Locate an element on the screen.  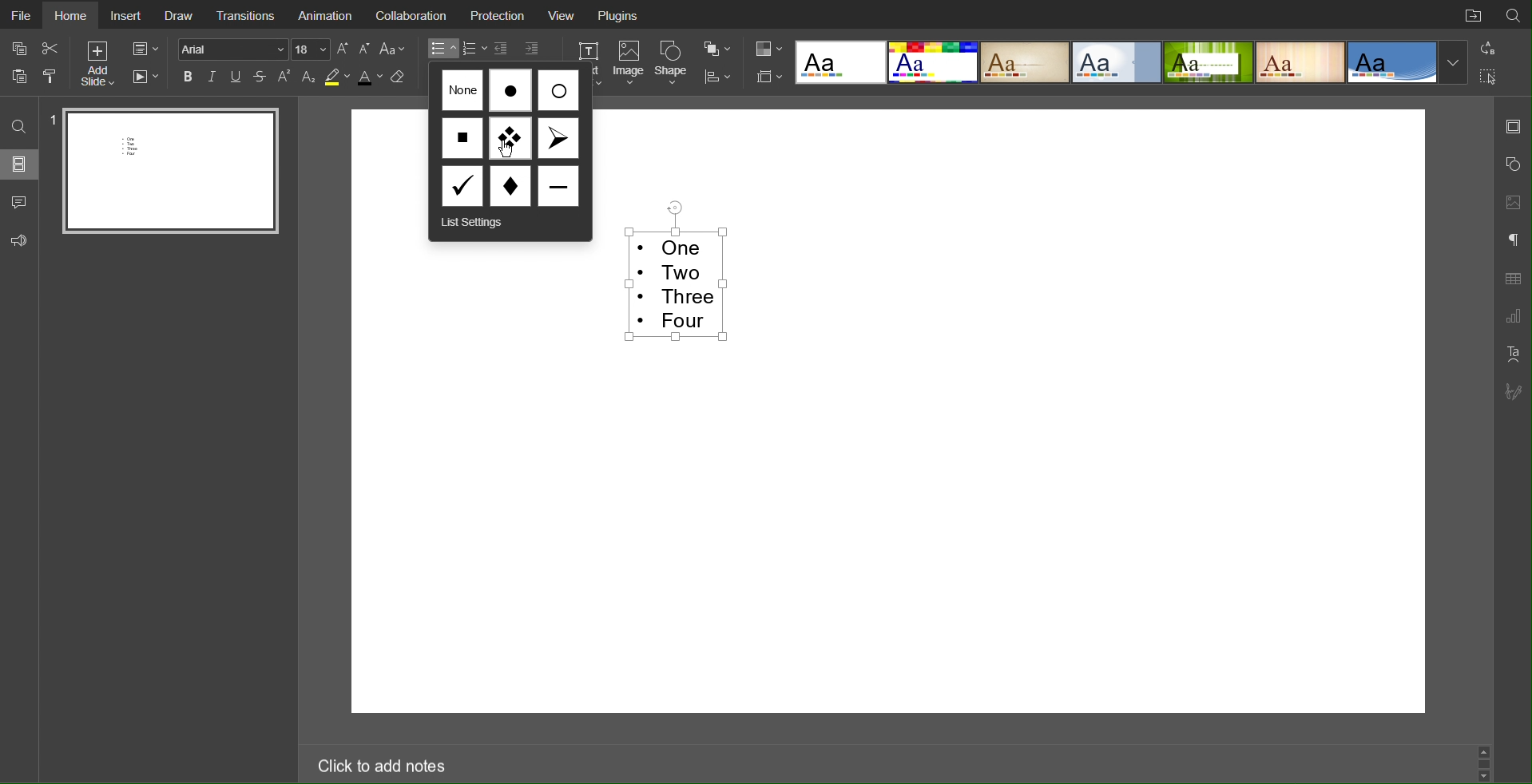
Click to add notes is located at coordinates (380, 767).